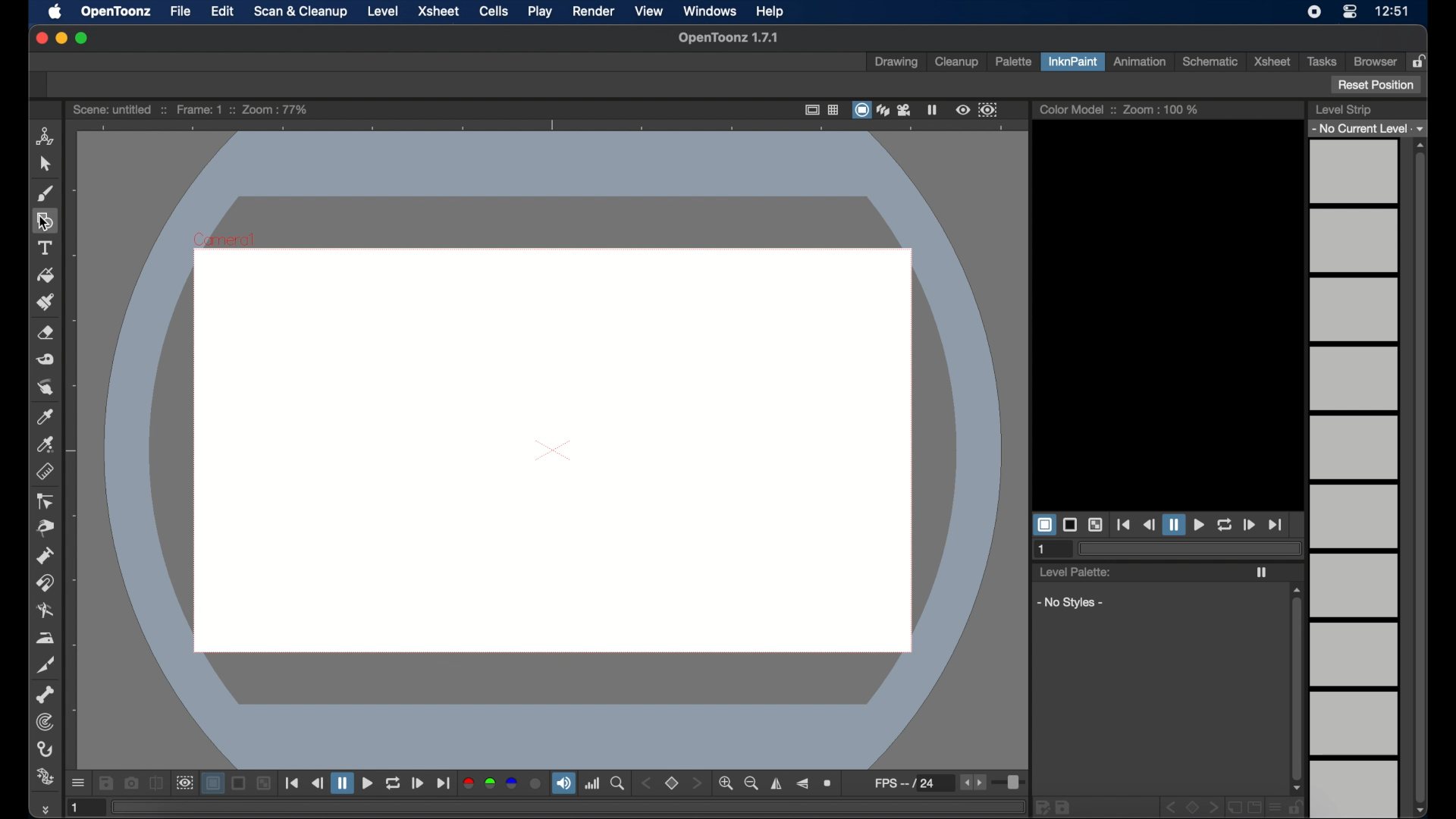  What do you see at coordinates (1296, 689) in the screenshot?
I see `scroll box` at bounding box center [1296, 689].